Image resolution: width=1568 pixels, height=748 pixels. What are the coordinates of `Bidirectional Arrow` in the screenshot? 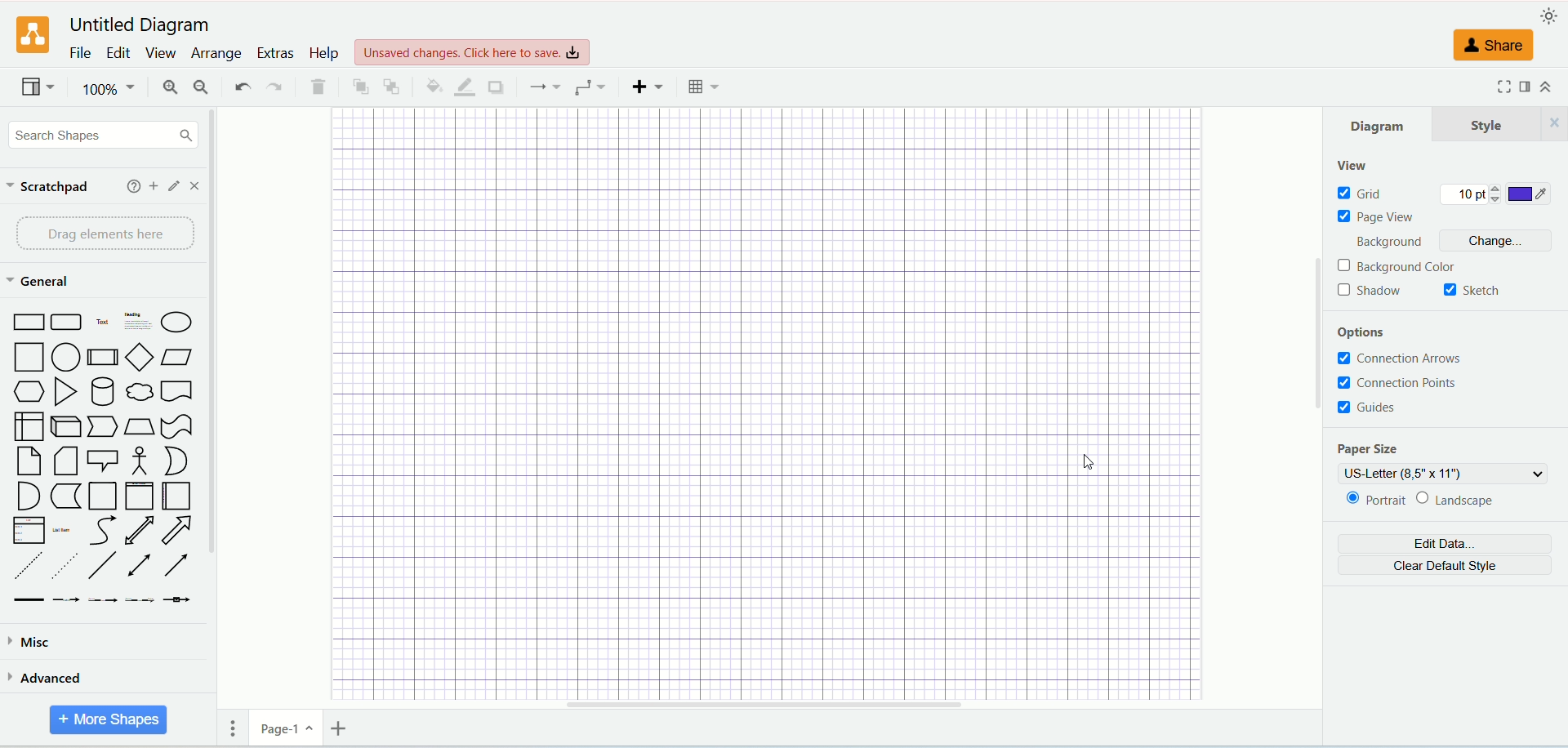 It's located at (140, 532).